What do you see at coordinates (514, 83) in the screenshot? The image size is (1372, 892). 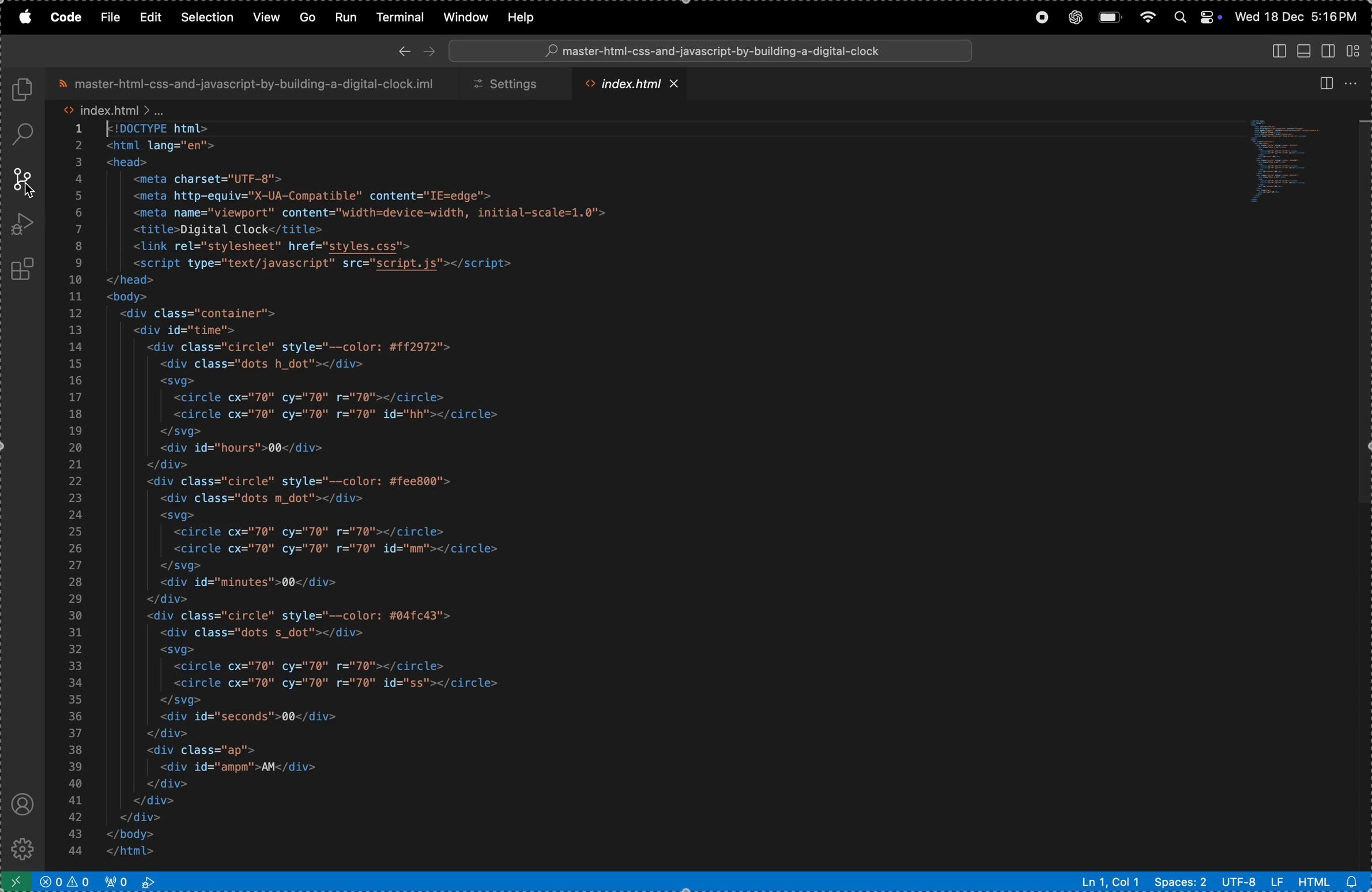 I see `settings` at bounding box center [514, 83].